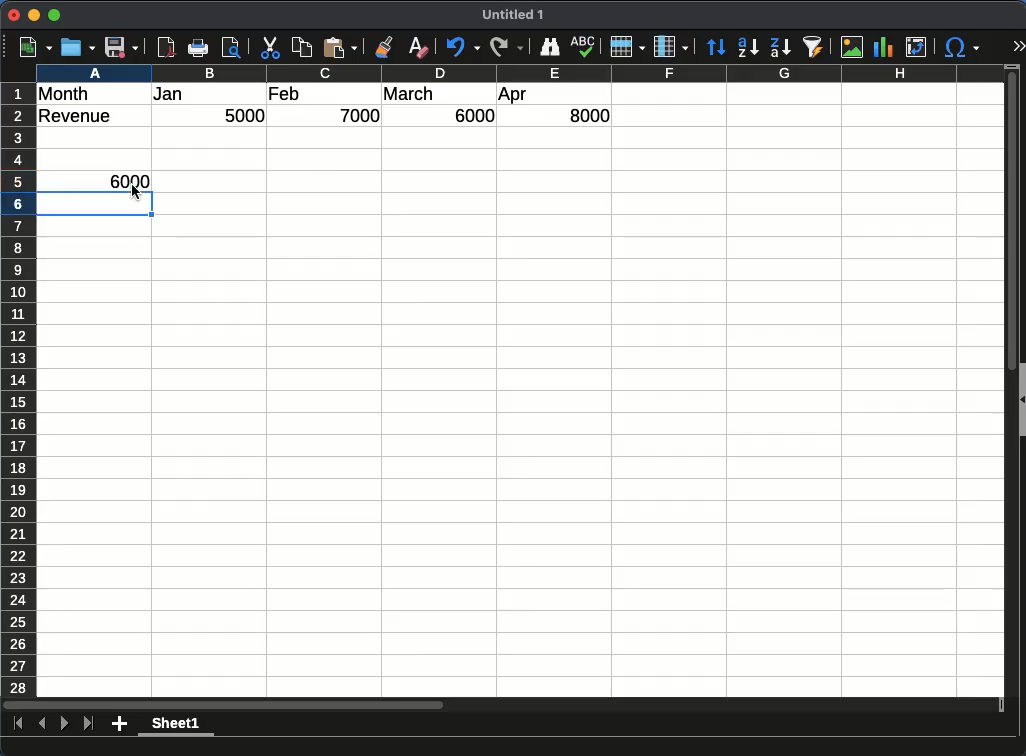  I want to click on open, so click(78, 47).